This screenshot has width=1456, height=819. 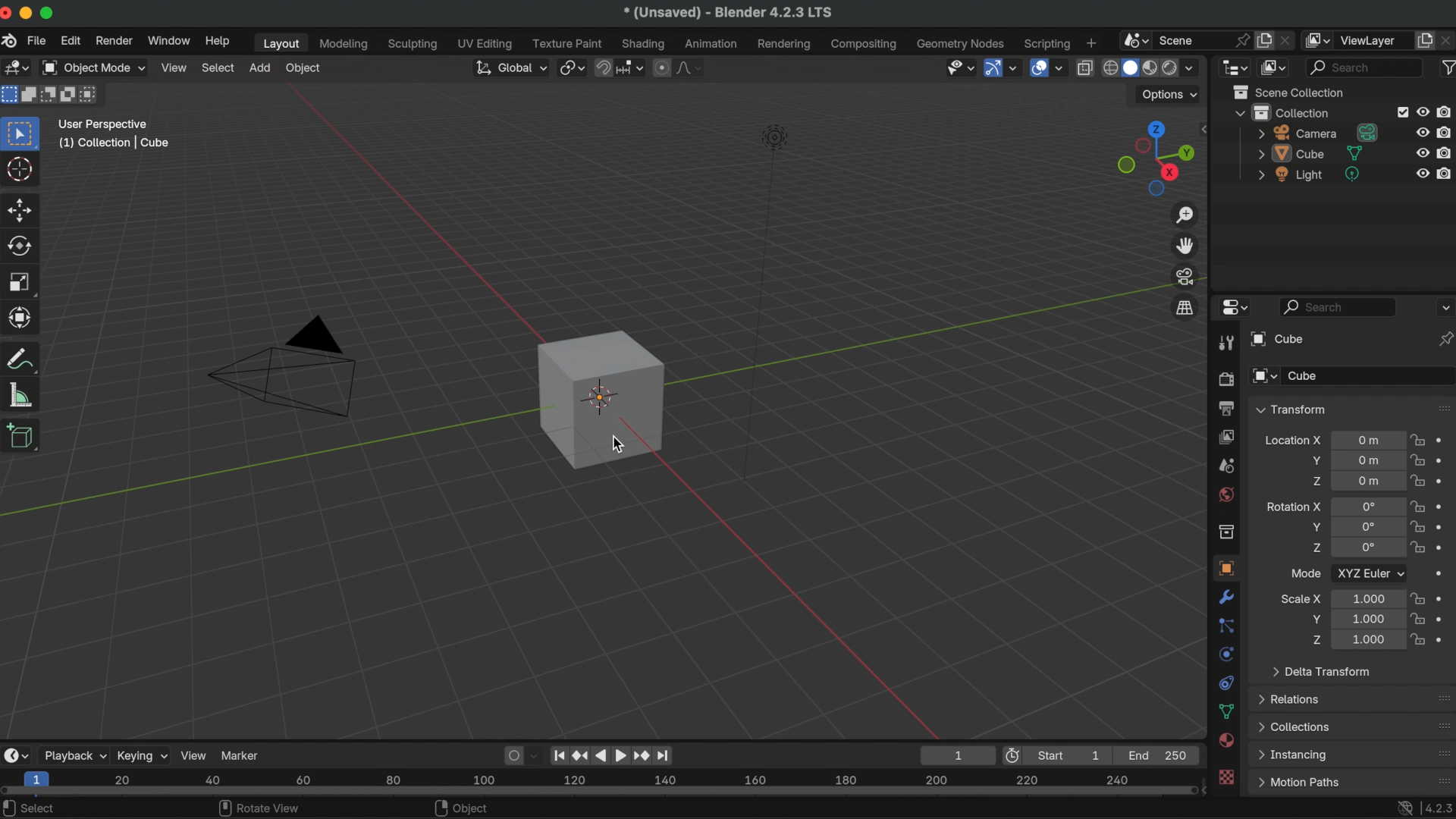 What do you see at coordinates (955, 755) in the screenshot?
I see `1` at bounding box center [955, 755].